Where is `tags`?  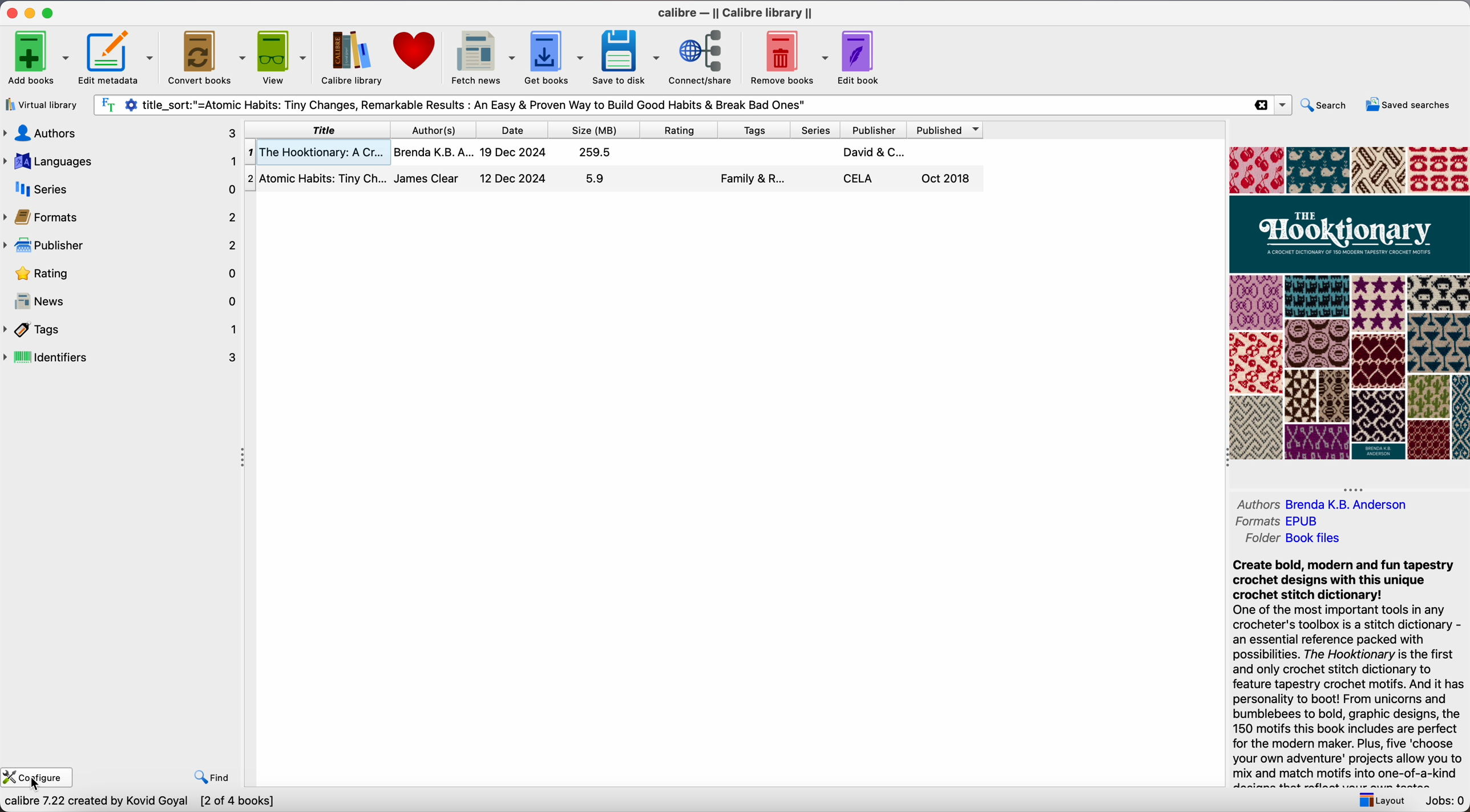 tags is located at coordinates (755, 128).